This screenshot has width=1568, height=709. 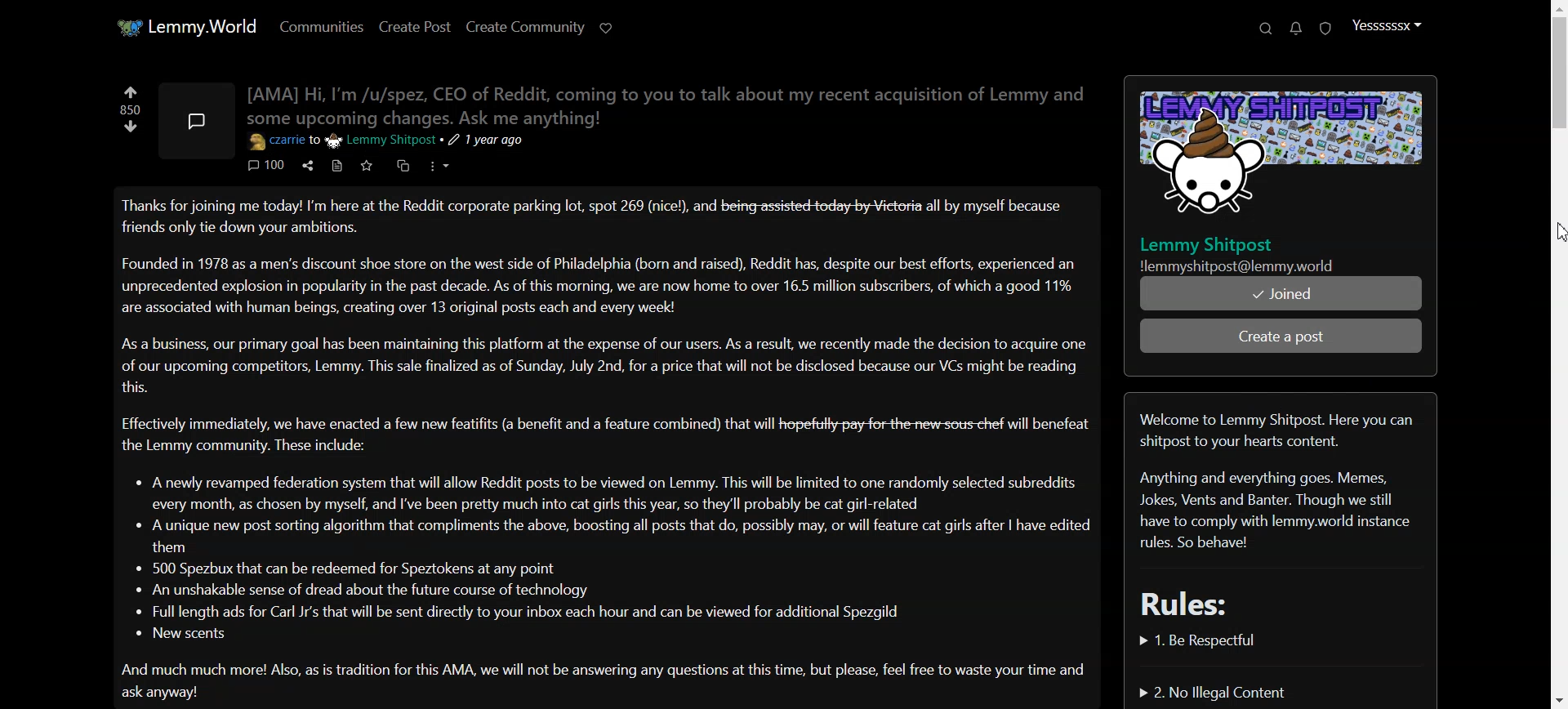 I want to click on Source, so click(x=338, y=165).